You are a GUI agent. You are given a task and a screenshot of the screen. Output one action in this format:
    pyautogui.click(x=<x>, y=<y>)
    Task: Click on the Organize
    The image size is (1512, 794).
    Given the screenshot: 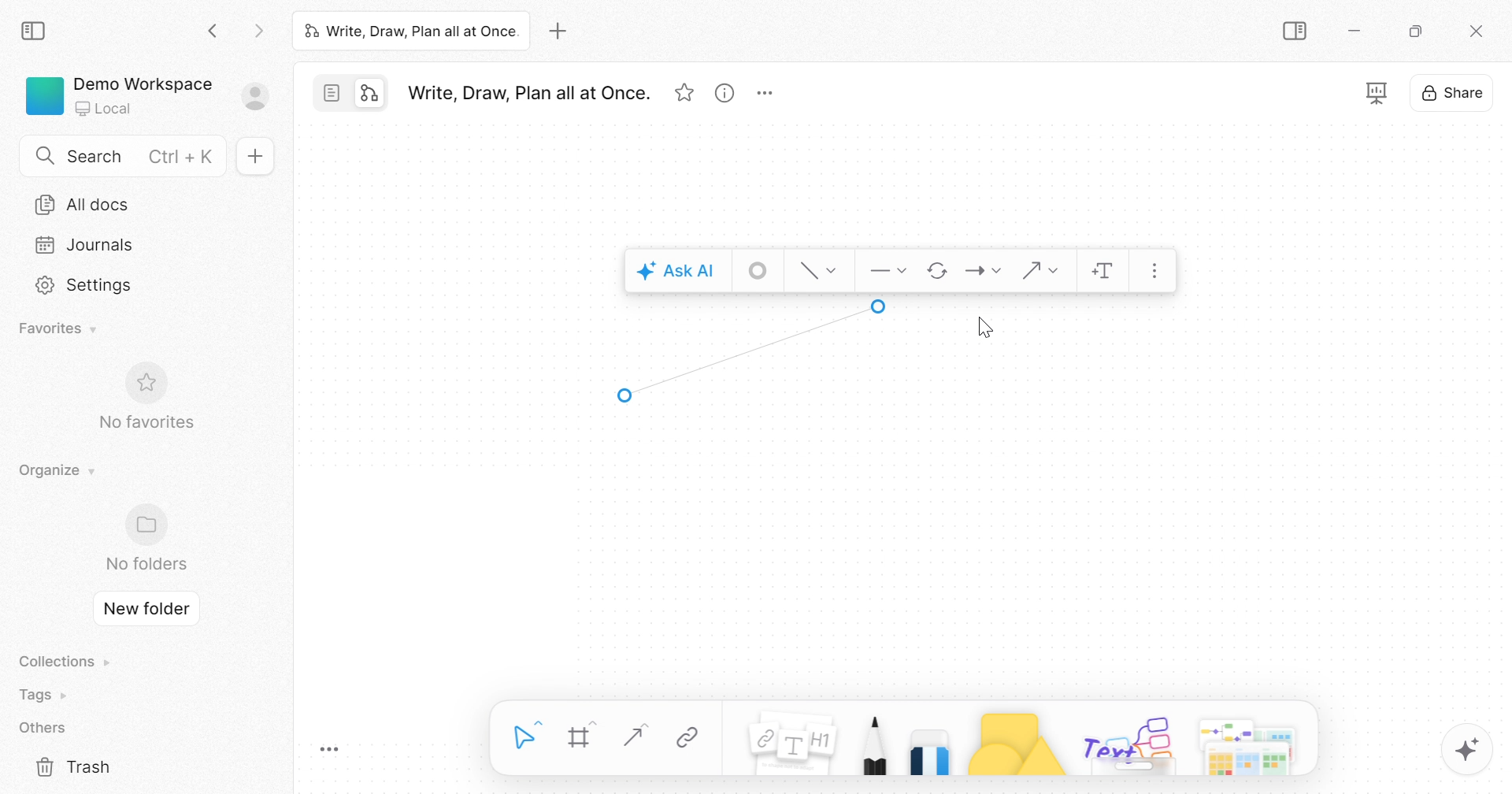 What is the action you would take?
    pyautogui.click(x=53, y=470)
    